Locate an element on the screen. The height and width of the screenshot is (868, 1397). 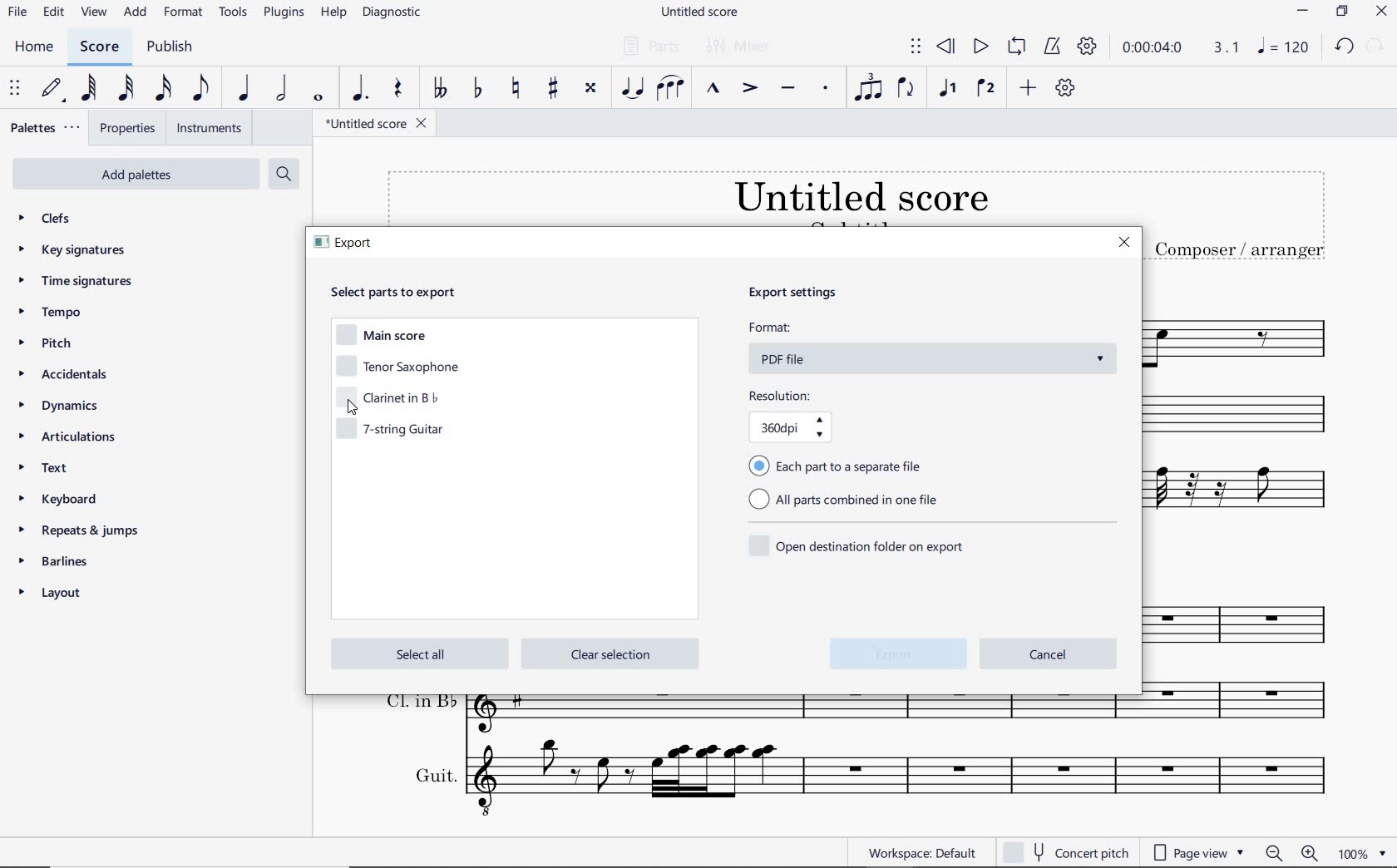
FORMAT is located at coordinates (184, 12).